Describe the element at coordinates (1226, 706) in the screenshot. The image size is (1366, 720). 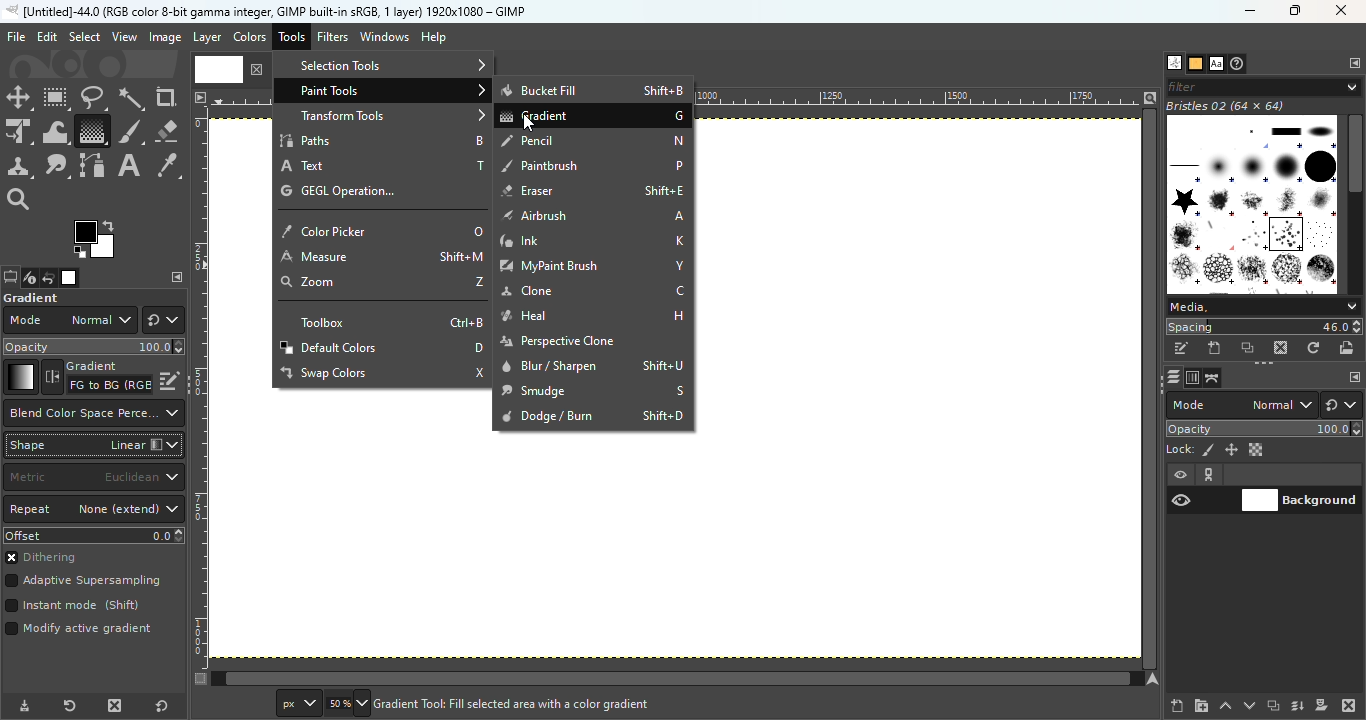
I see `Raise this layer one step in the layer stack` at that location.